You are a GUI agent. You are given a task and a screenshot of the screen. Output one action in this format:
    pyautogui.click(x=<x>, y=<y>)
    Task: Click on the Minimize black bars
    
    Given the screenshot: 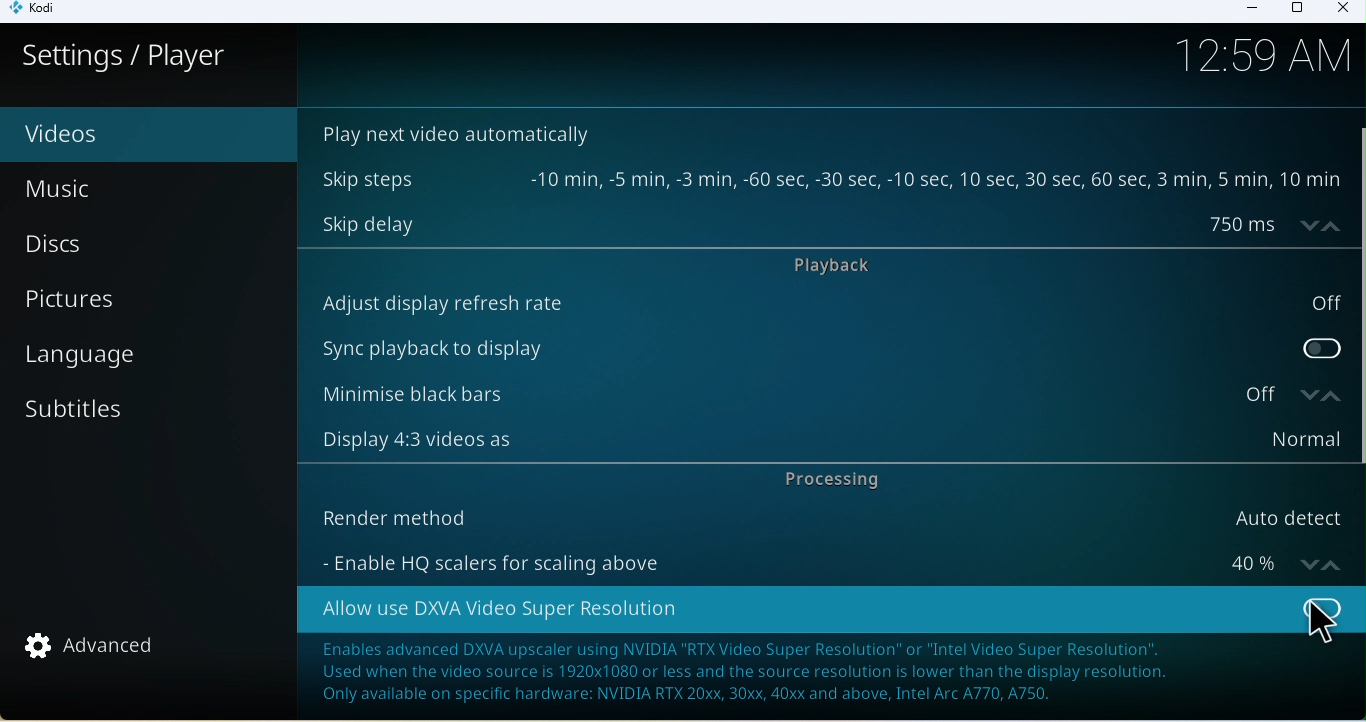 What is the action you would take?
    pyautogui.click(x=793, y=396)
    